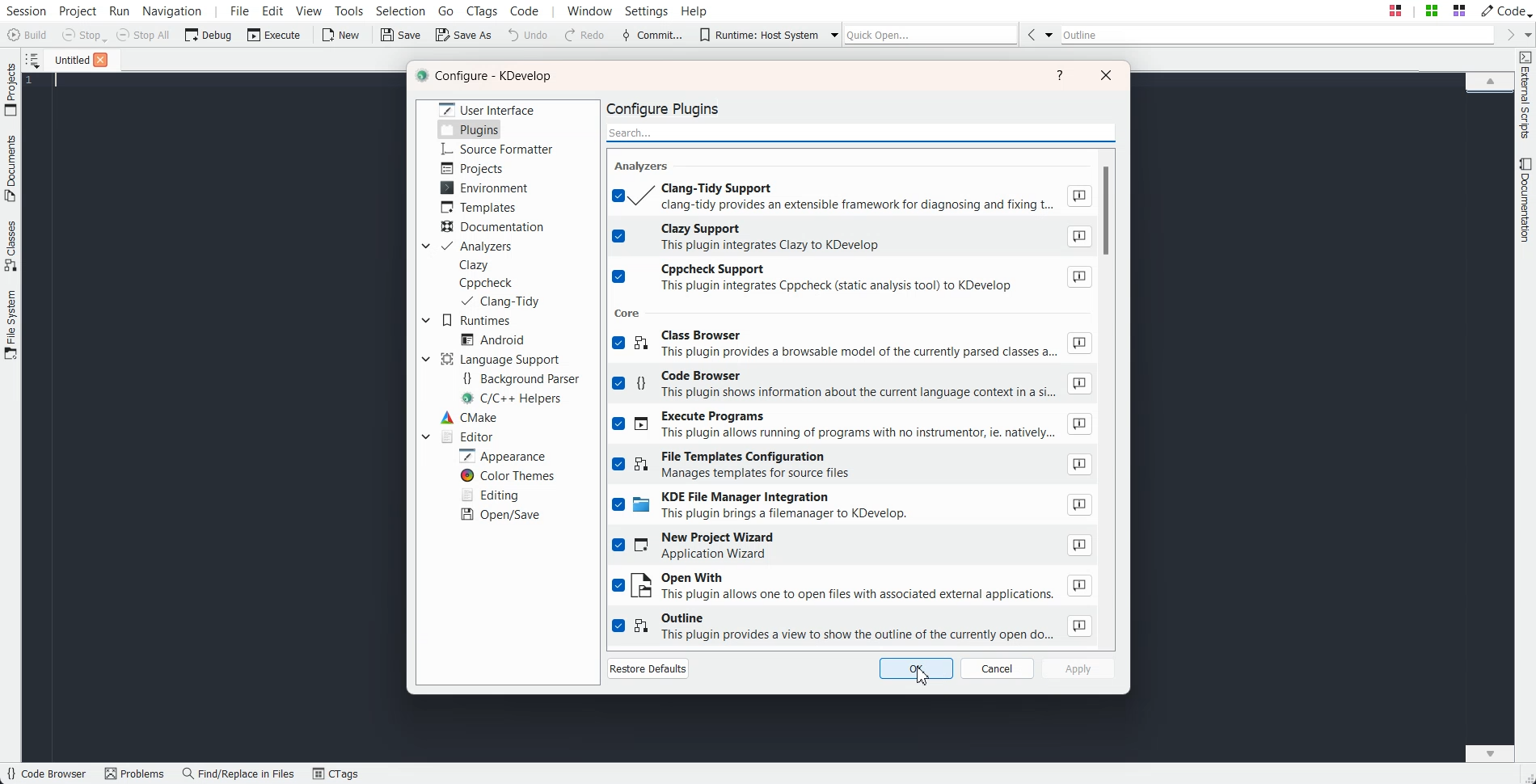 This screenshot has height=784, width=1536. I want to click on Drop down box, so click(424, 247).